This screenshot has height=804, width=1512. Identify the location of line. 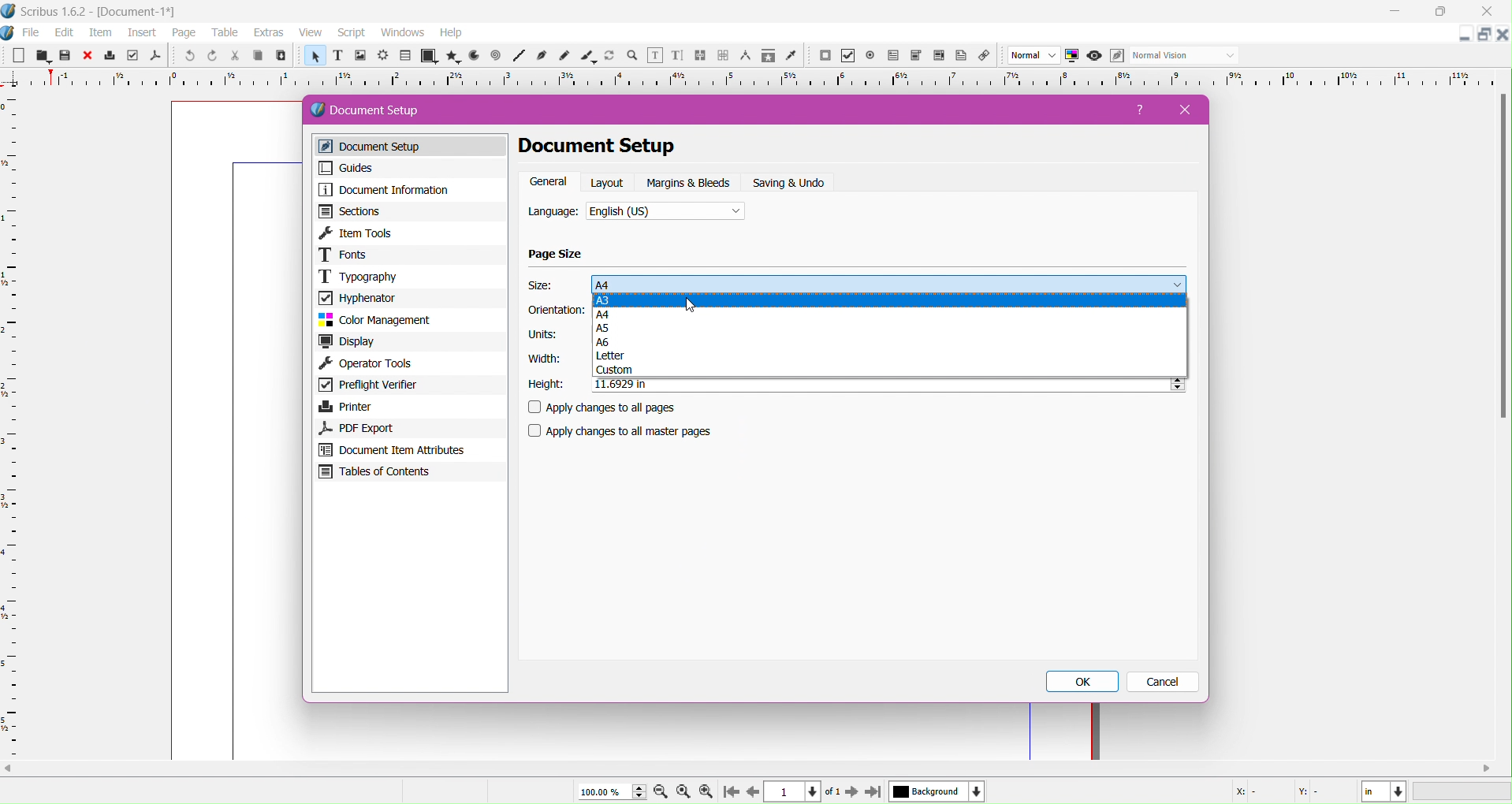
(519, 57).